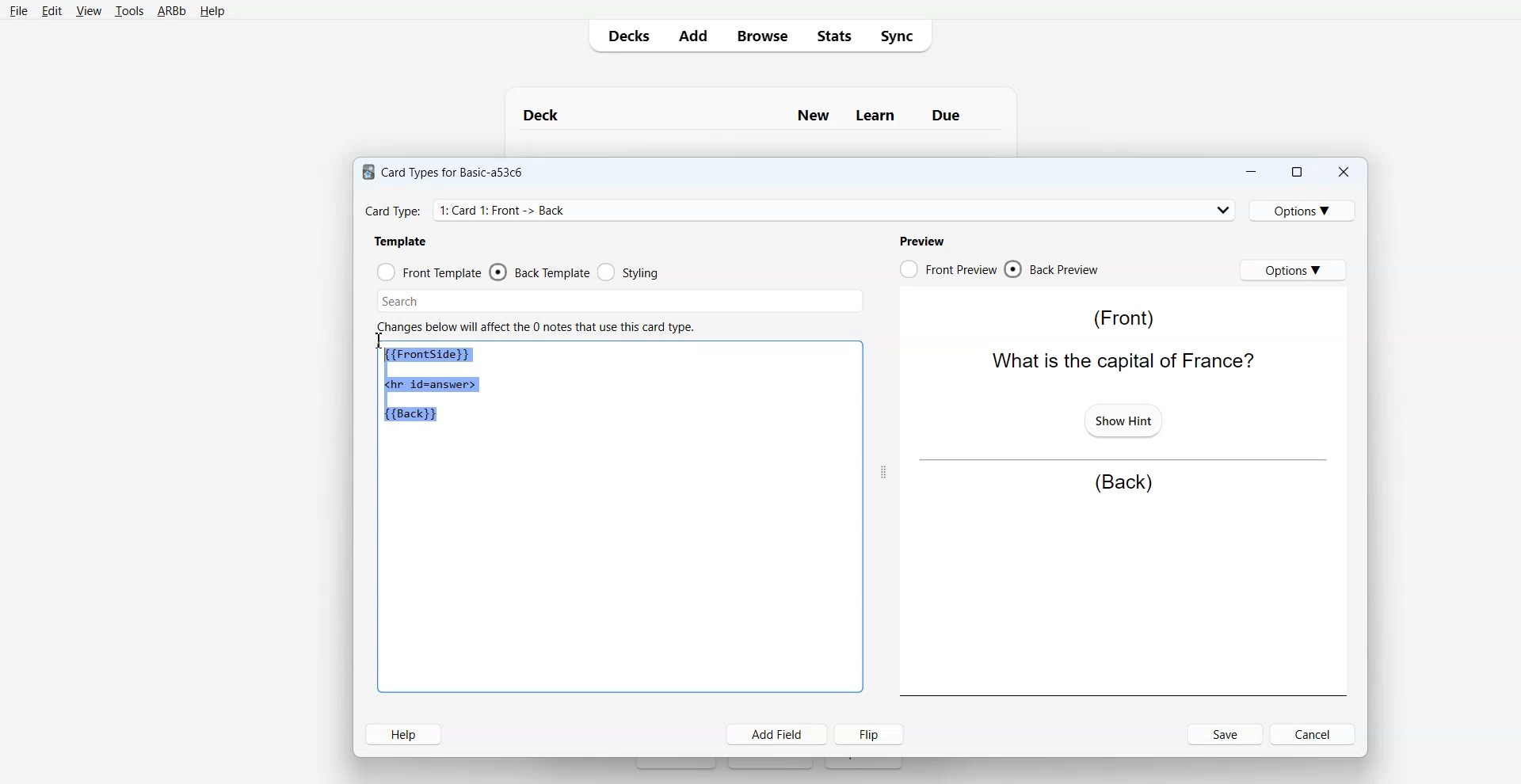 The image size is (1521, 784). I want to click on Browse, so click(761, 35).